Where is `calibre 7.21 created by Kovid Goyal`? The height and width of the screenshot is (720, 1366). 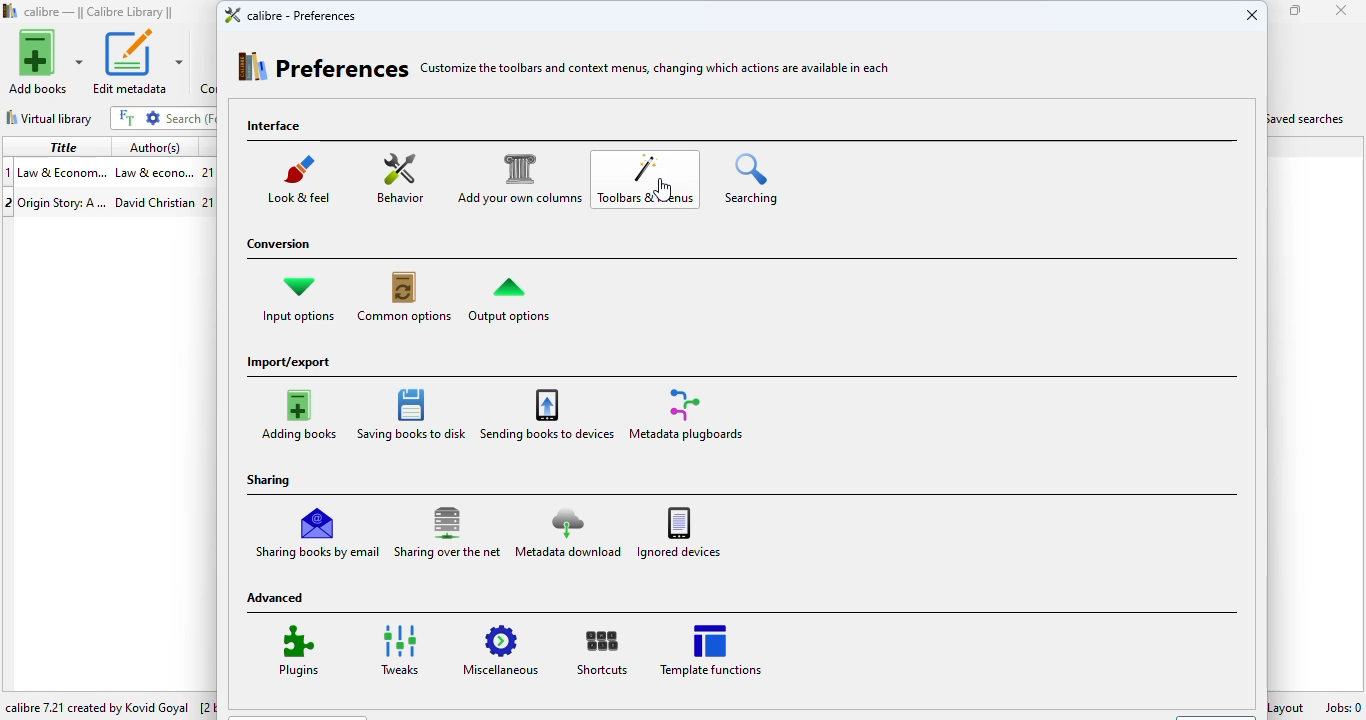 calibre 7.21 created by Kovid Goyal is located at coordinates (98, 707).